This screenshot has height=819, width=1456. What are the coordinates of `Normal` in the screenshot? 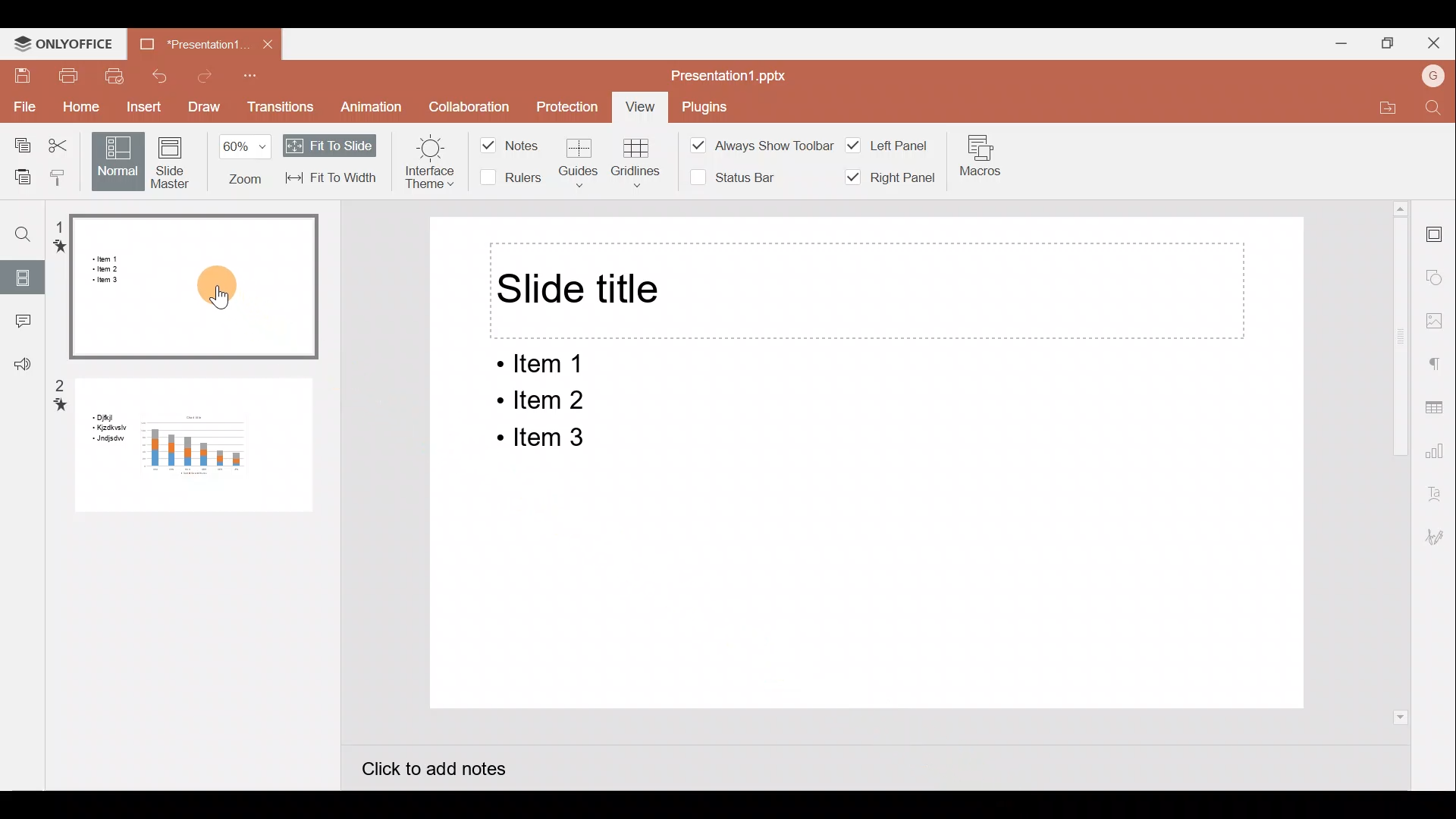 It's located at (117, 162).